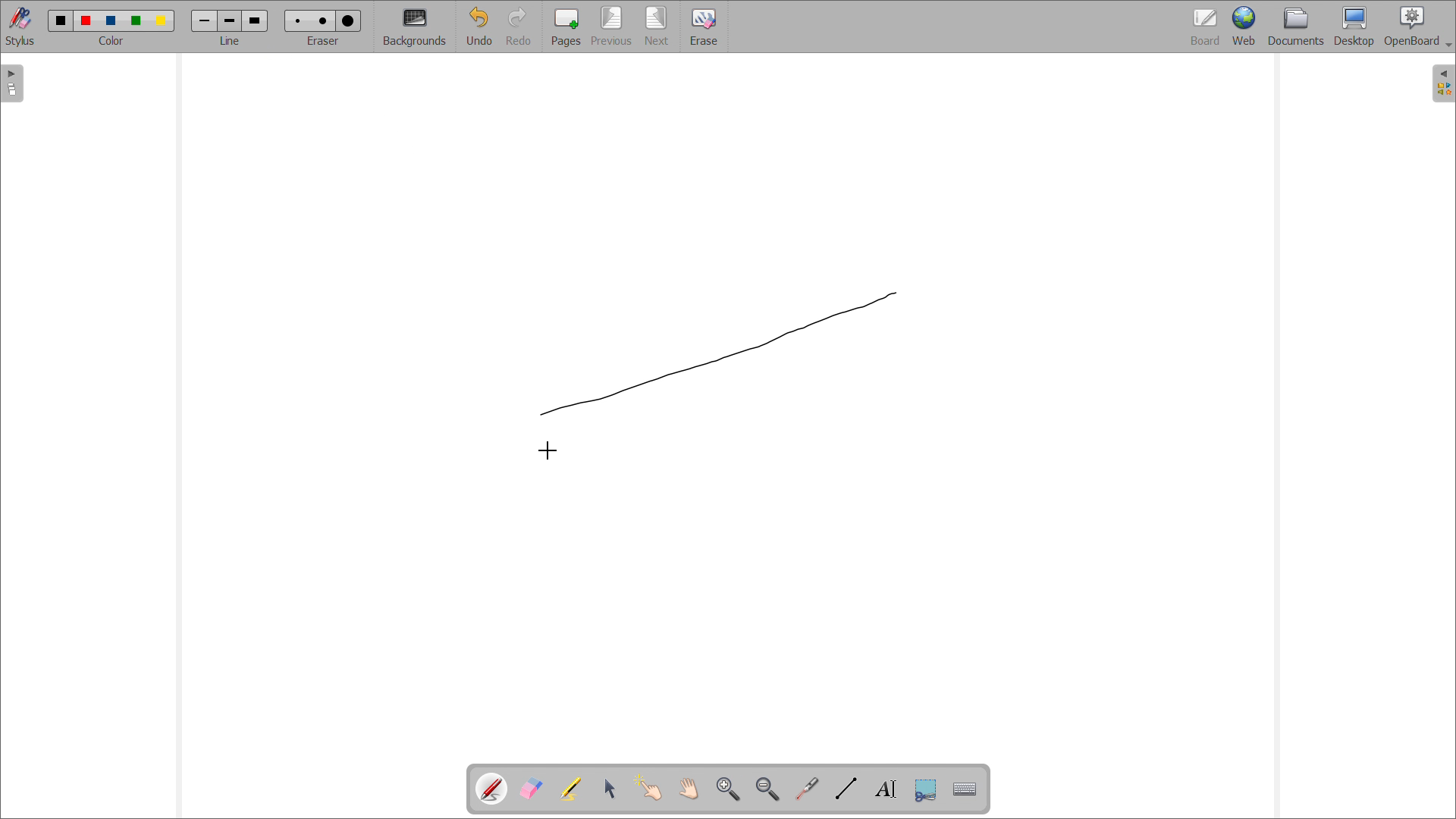 This screenshot has width=1456, height=819. What do you see at coordinates (20, 26) in the screenshot?
I see `toggle stylus` at bounding box center [20, 26].